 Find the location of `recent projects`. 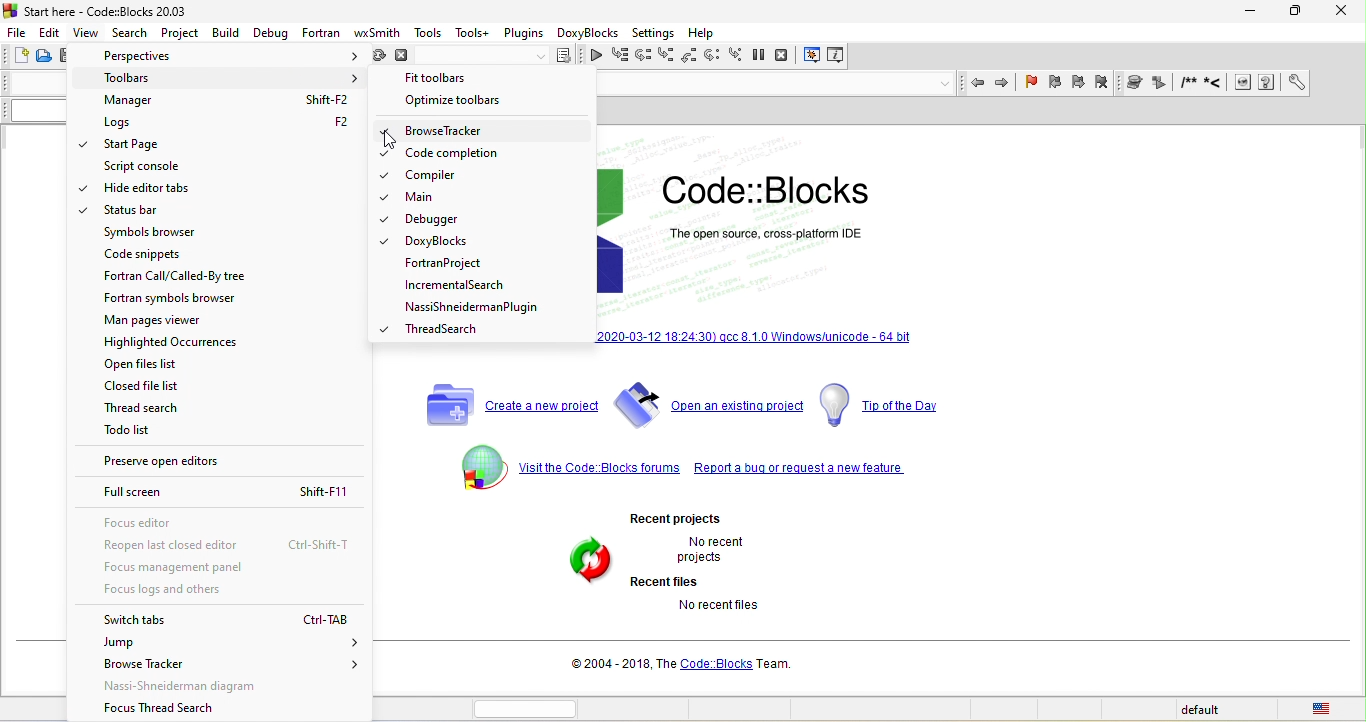

recent projects is located at coordinates (679, 518).